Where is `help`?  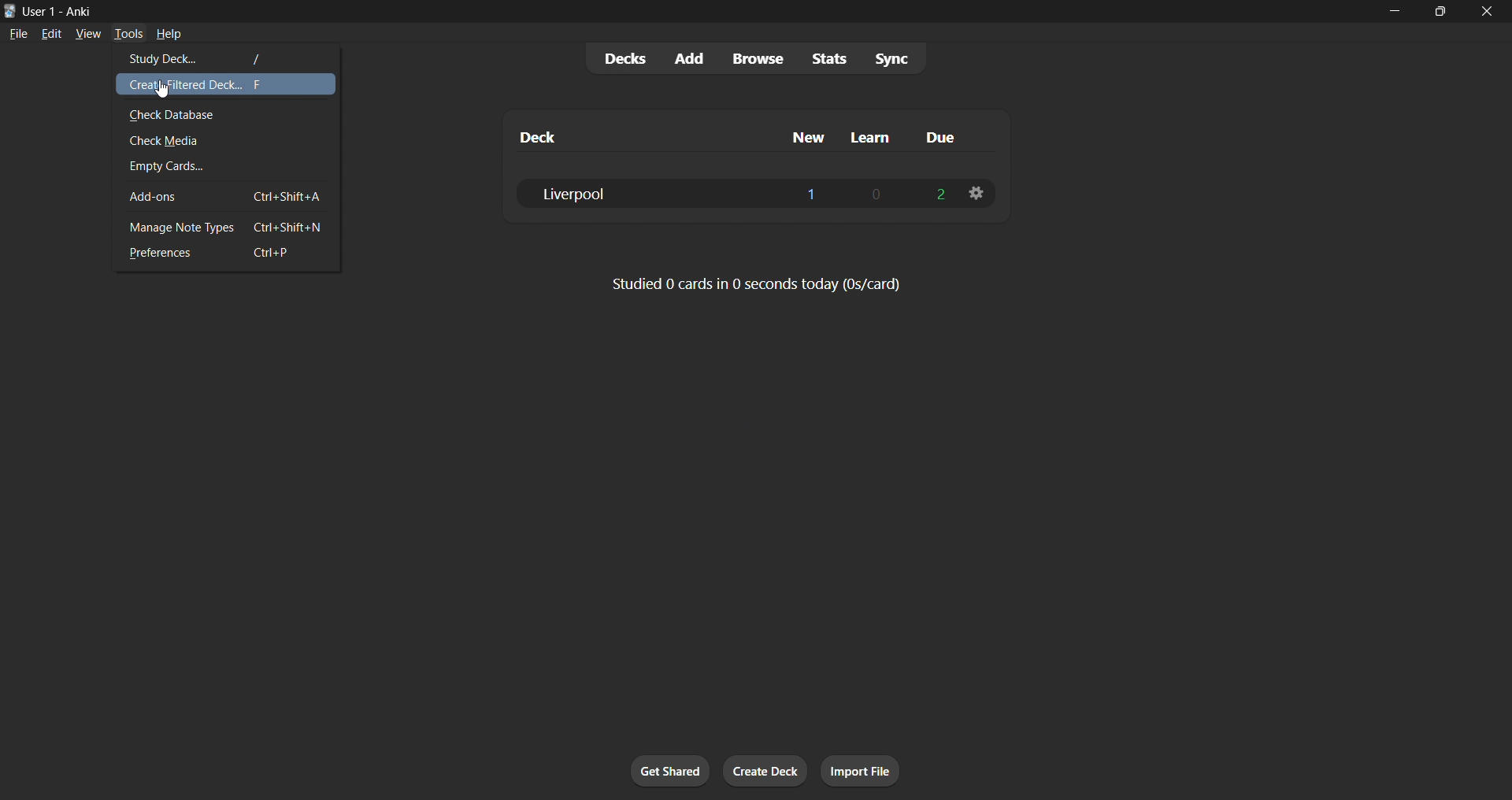 help is located at coordinates (170, 35).